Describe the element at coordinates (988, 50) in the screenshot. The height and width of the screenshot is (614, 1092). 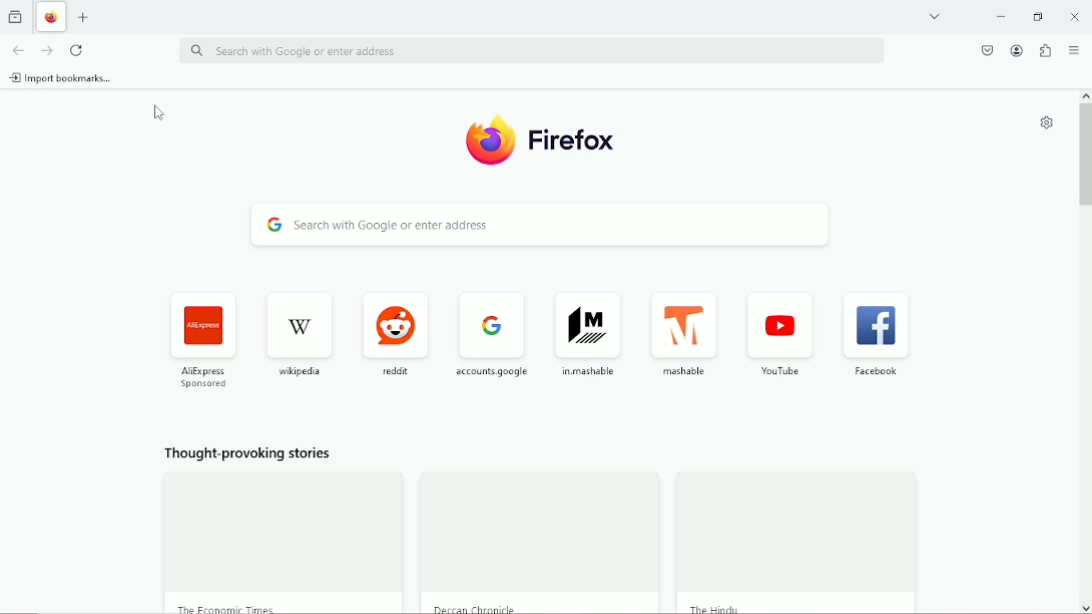
I see `Save to pocket` at that location.